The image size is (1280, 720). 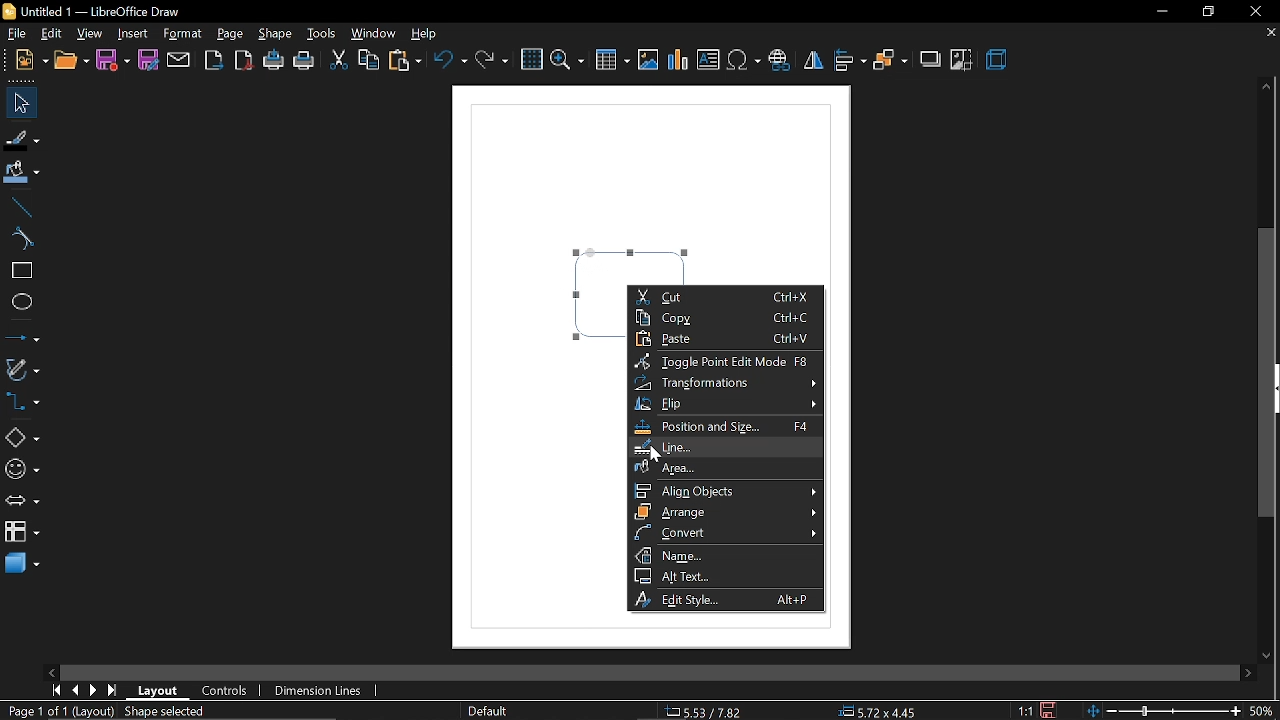 What do you see at coordinates (731, 405) in the screenshot?
I see `flip` at bounding box center [731, 405].